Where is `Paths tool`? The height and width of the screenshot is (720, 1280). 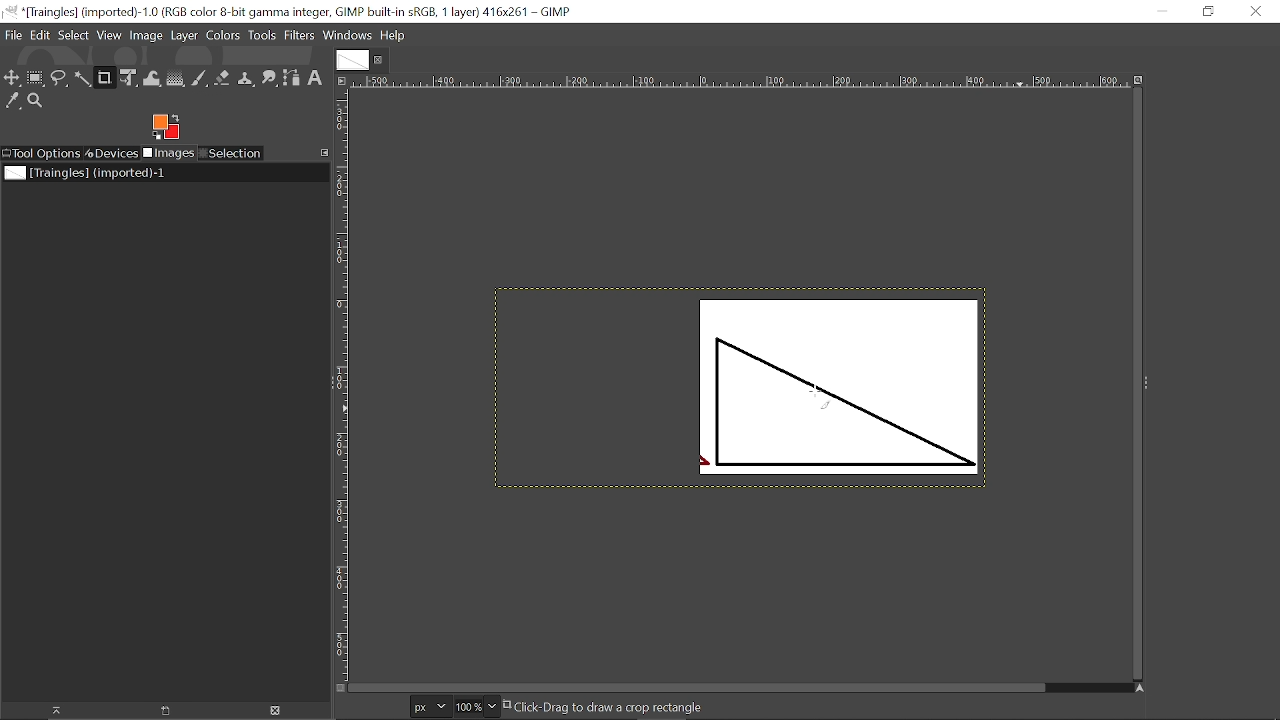 Paths tool is located at coordinates (292, 78).